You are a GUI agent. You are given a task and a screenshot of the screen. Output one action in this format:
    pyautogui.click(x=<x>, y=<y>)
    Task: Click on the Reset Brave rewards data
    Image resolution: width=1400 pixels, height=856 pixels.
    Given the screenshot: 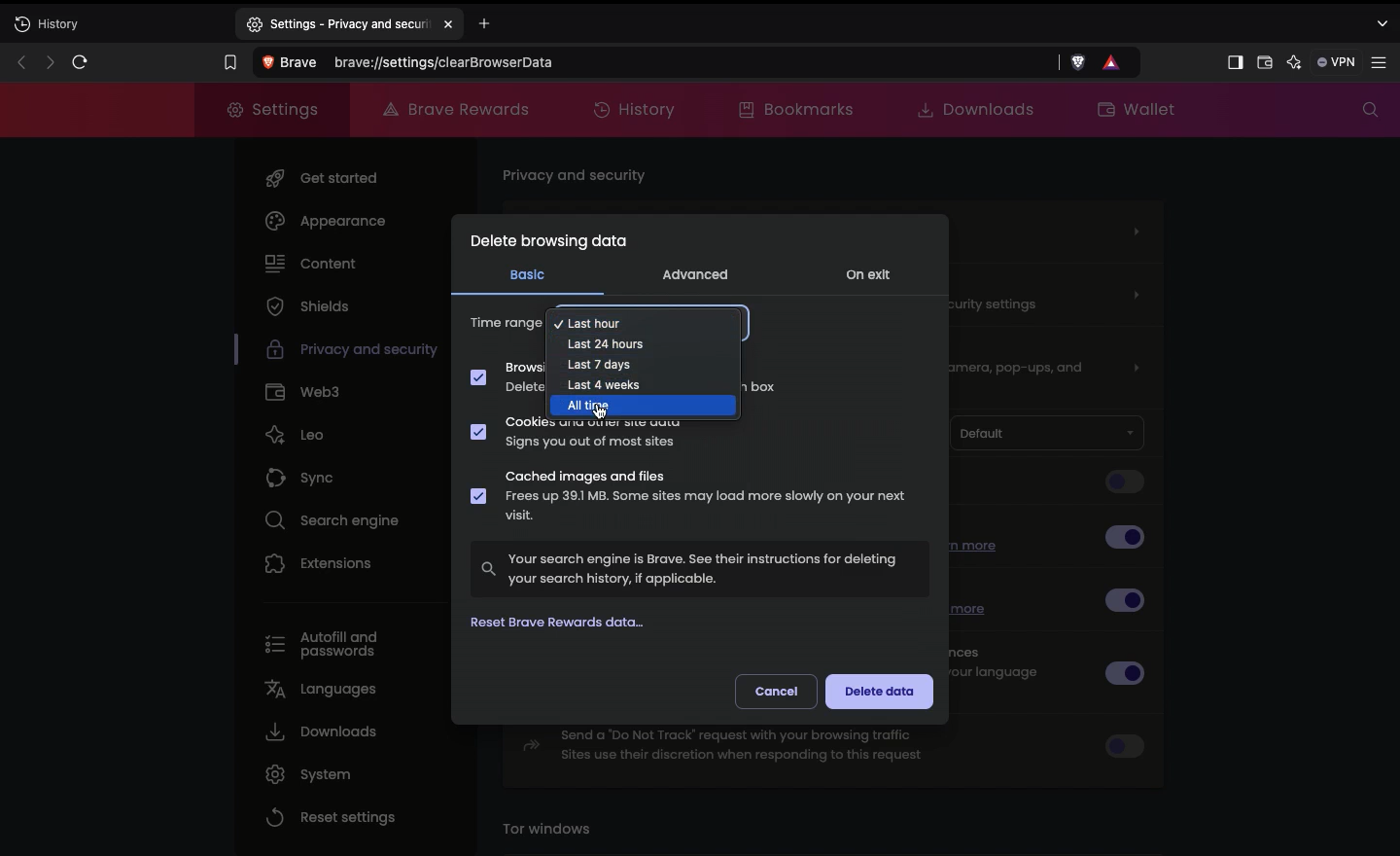 What is the action you would take?
    pyautogui.click(x=568, y=624)
    